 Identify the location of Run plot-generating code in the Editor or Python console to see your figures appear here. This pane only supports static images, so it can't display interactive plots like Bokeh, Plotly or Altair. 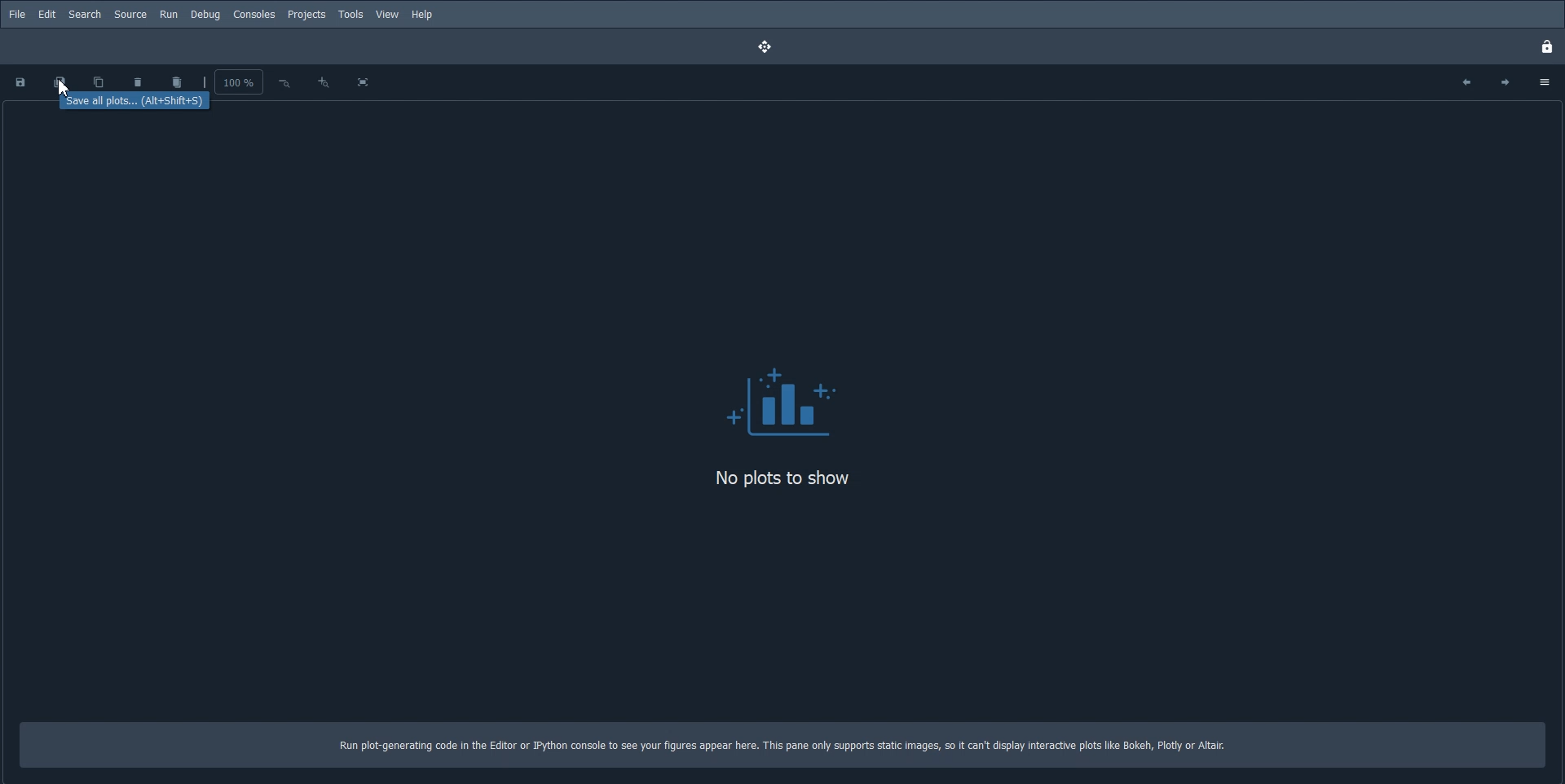
(771, 747).